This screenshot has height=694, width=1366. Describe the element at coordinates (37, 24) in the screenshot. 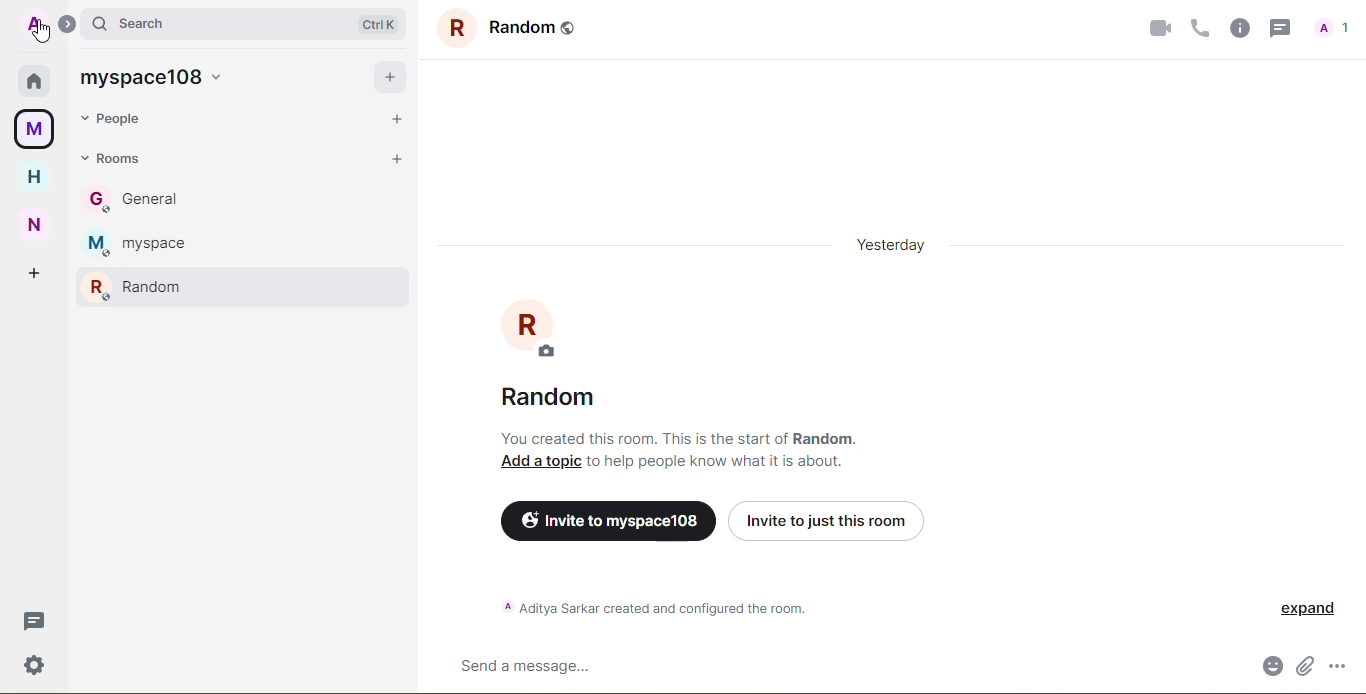

I see `click` at that location.